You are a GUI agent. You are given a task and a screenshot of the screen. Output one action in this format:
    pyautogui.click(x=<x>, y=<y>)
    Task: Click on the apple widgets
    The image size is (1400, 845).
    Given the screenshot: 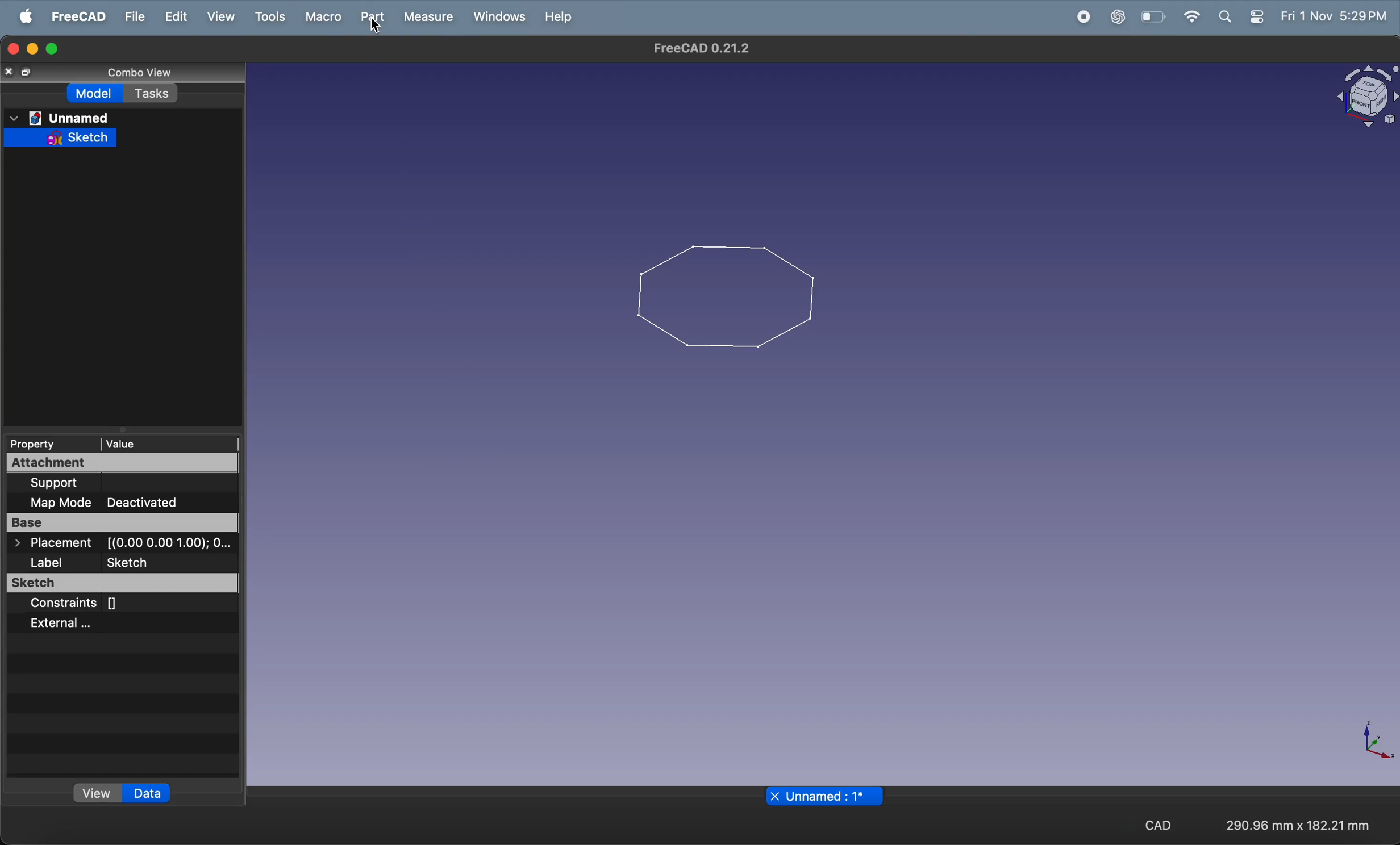 What is the action you would take?
    pyautogui.click(x=1237, y=16)
    